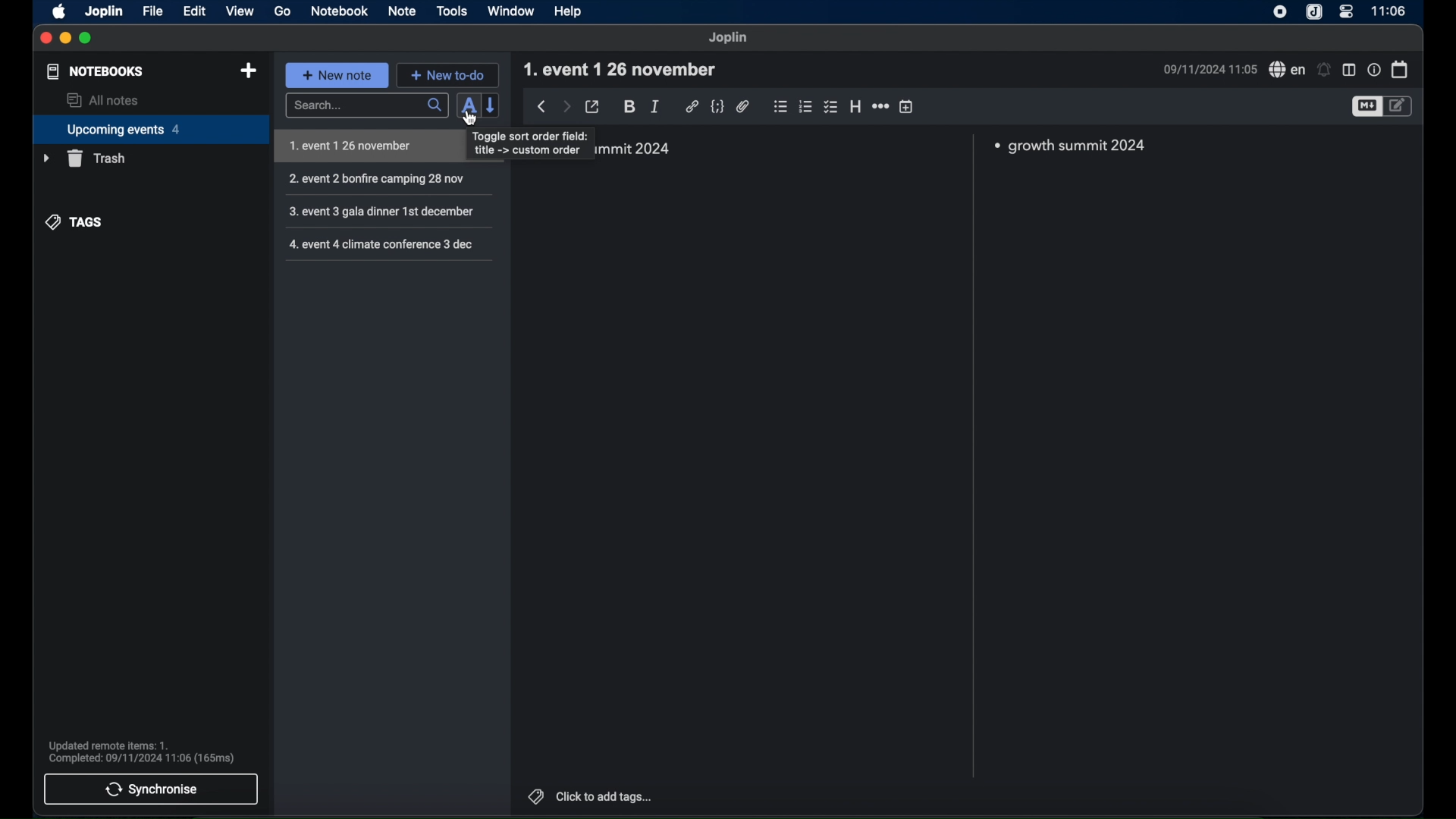 The image size is (1456, 819). I want to click on all notes, so click(102, 100).